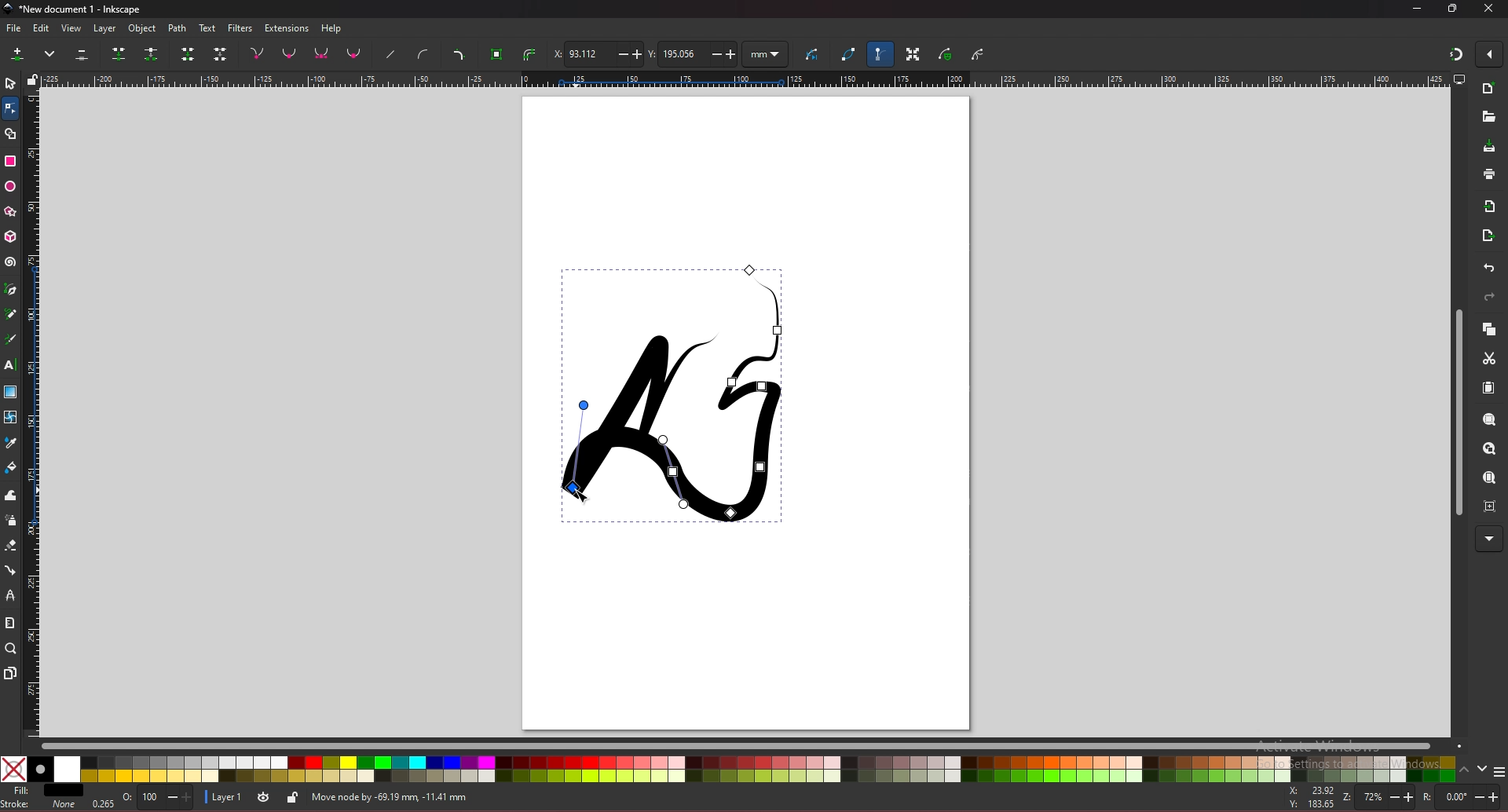 Image resolution: width=1508 pixels, height=812 pixels. Describe the element at coordinates (11, 264) in the screenshot. I see `spiral` at that location.